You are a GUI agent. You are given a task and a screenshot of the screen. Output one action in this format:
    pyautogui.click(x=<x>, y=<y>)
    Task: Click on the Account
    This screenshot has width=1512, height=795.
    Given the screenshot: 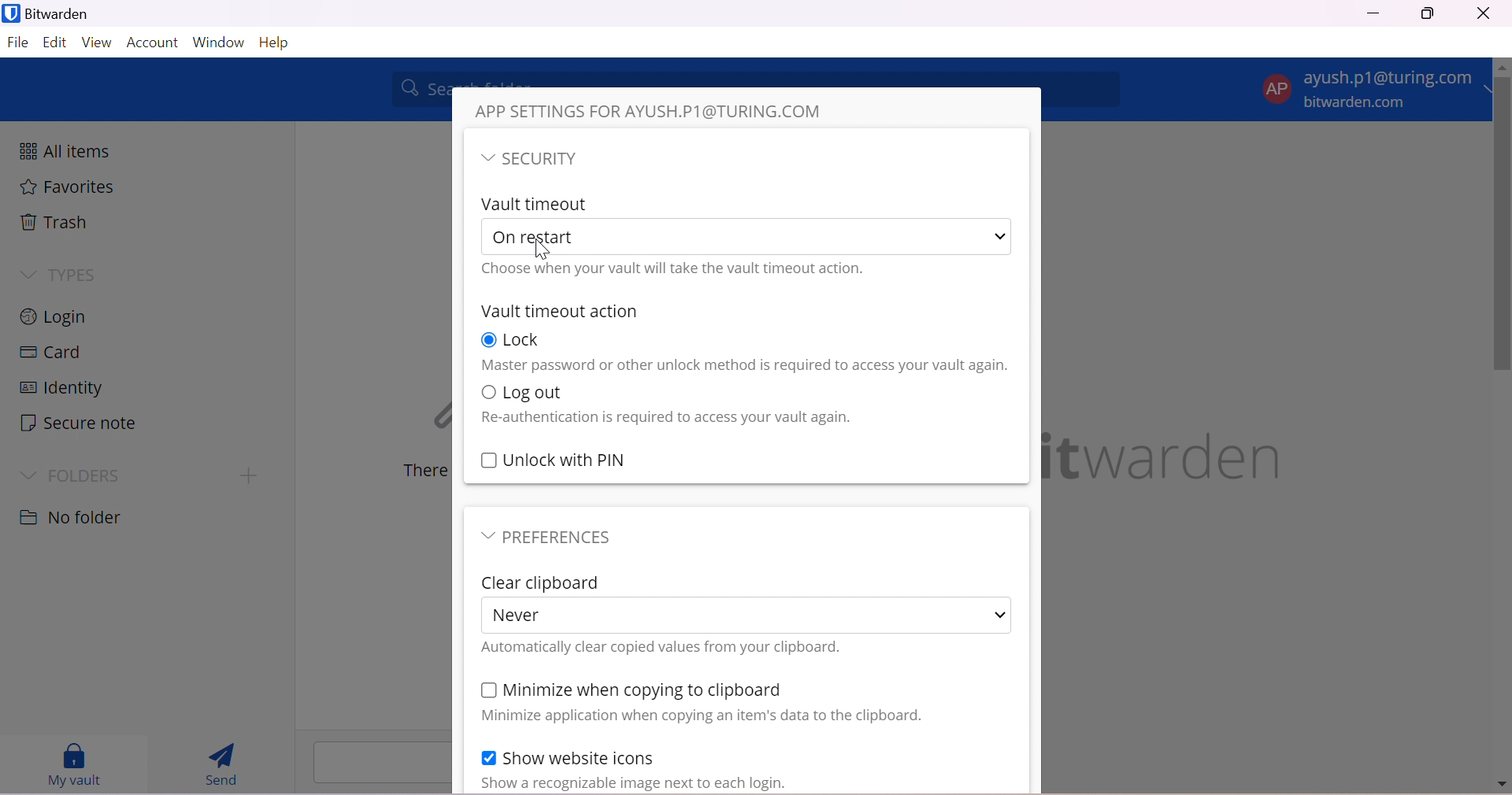 What is the action you would take?
    pyautogui.click(x=154, y=43)
    